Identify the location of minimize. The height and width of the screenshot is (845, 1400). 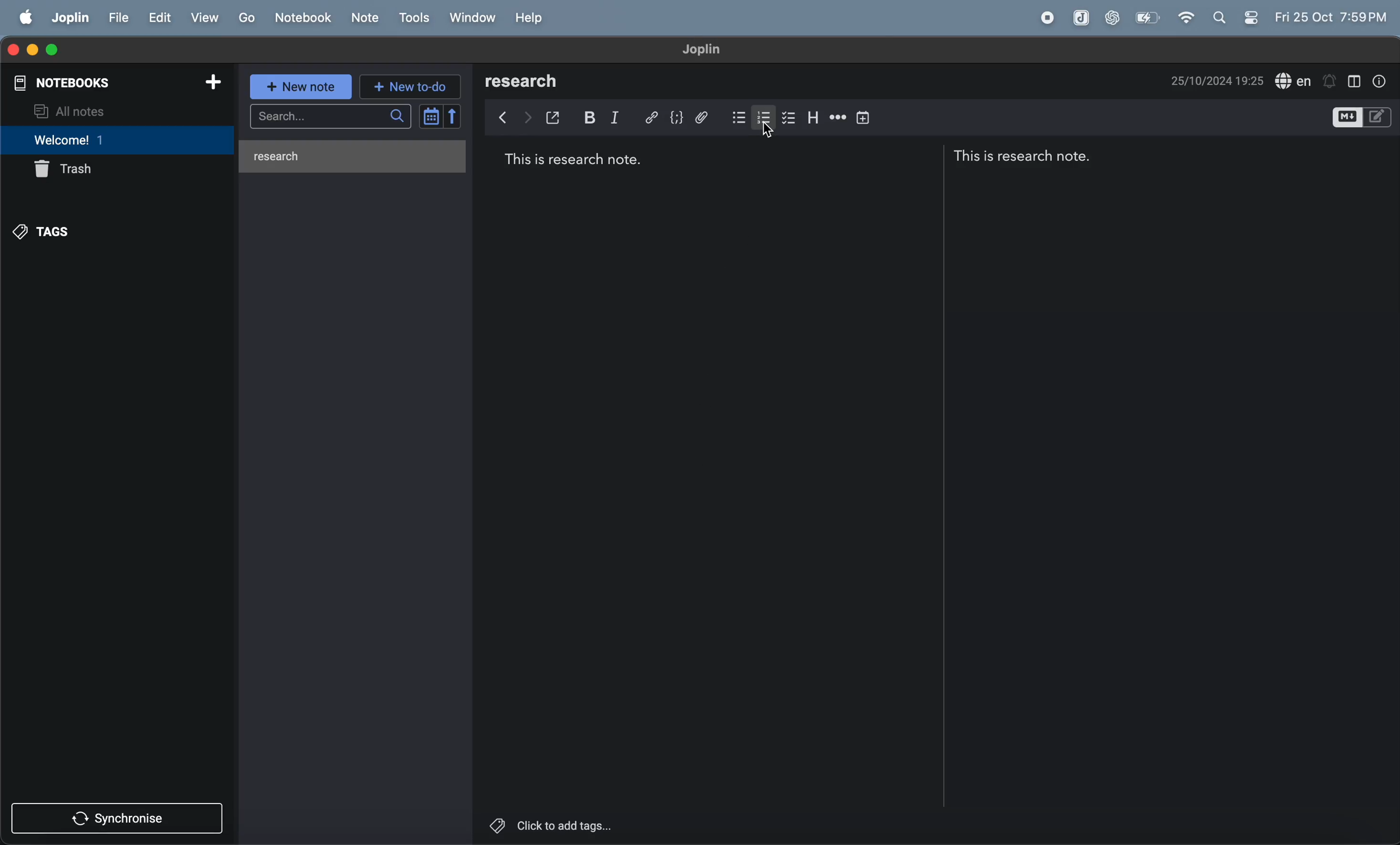
(33, 48).